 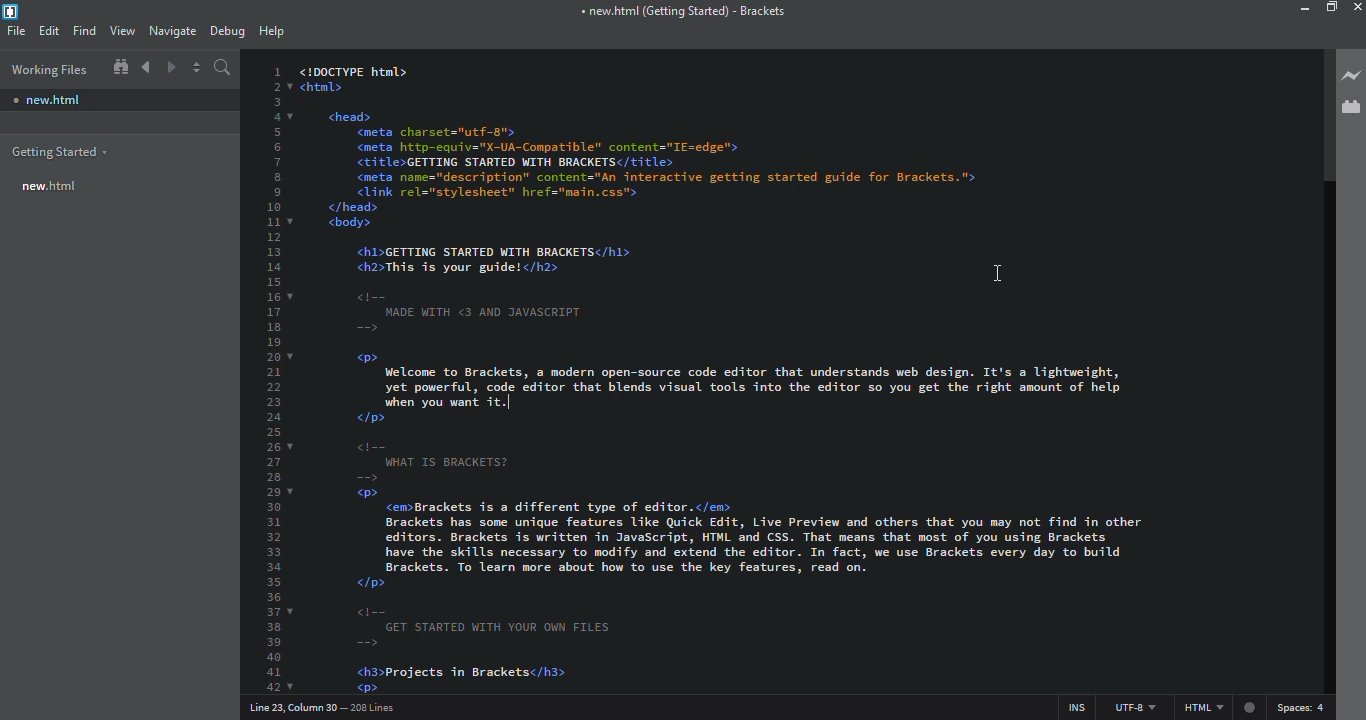 What do you see at coordinates (1334, 7) in the screenshot?
I see `maximize` at bounding box center [1334, 7].